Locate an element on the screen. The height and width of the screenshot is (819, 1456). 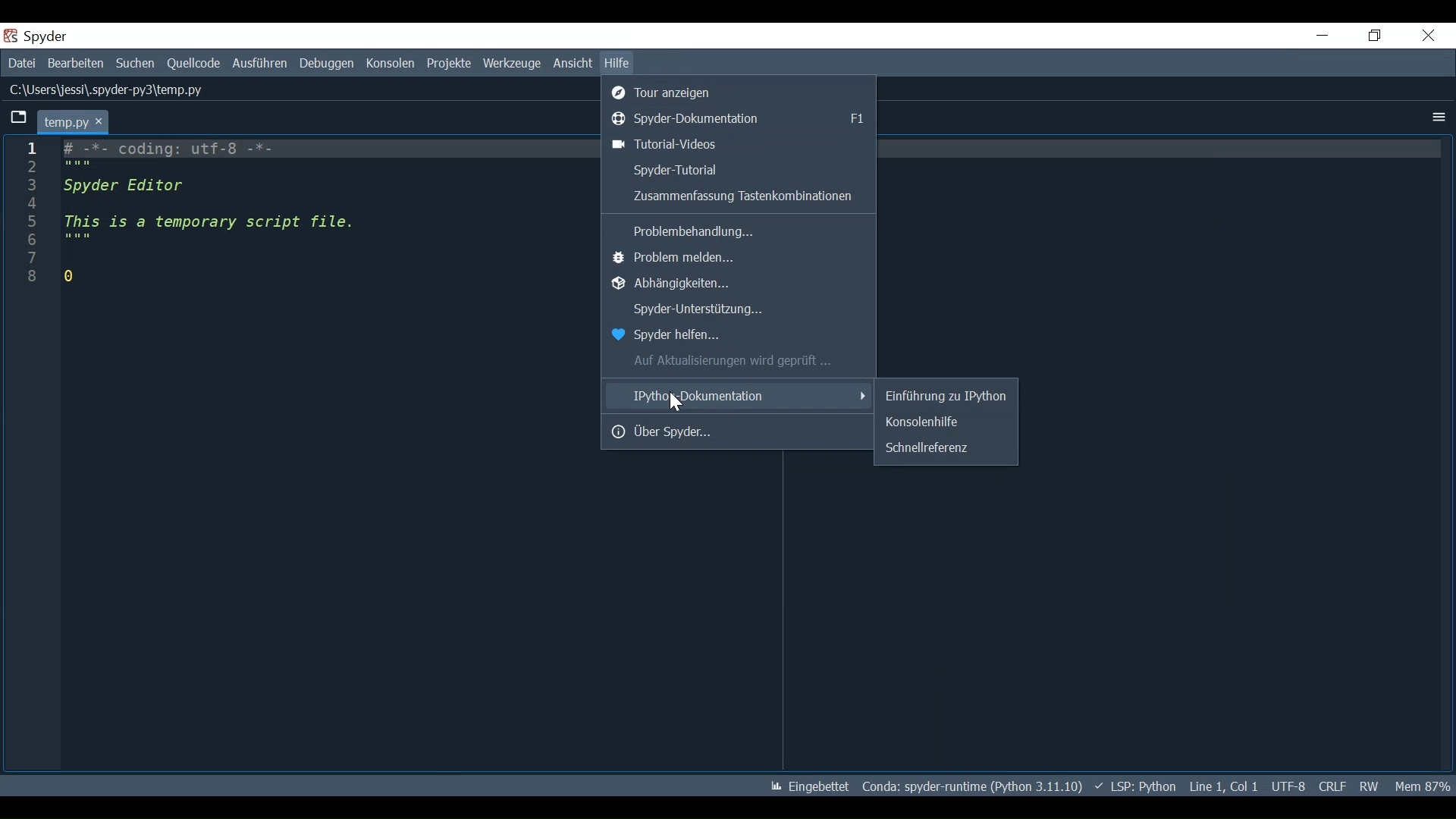
C:\Users\jessi\.spyder-py3\temp.py is located at coordinates (107, 89).